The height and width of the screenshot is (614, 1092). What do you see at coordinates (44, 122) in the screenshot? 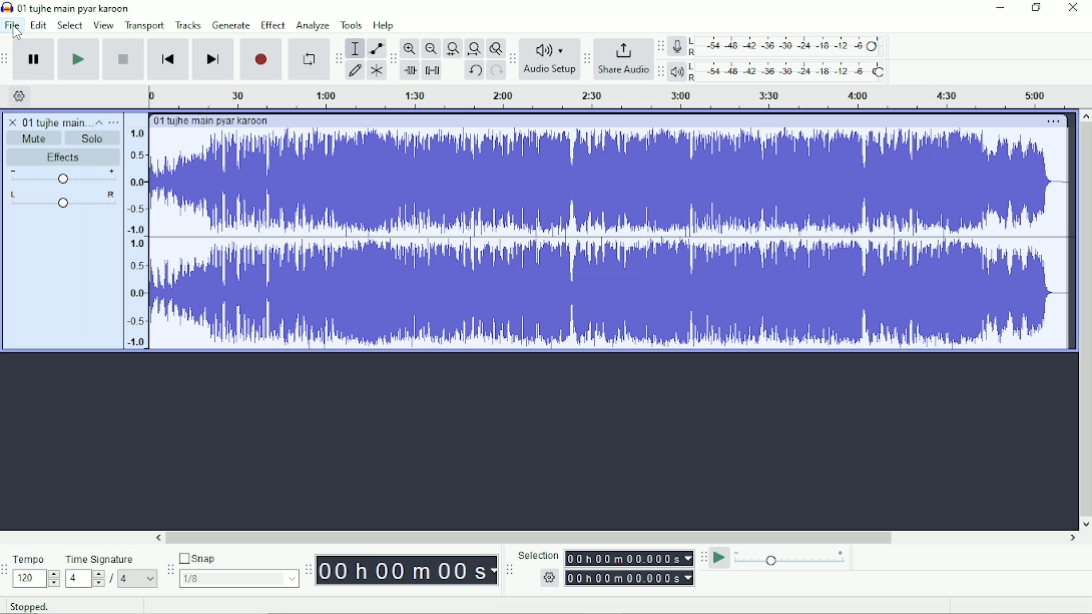
I see `Track title` at bounding box center [44, 122].